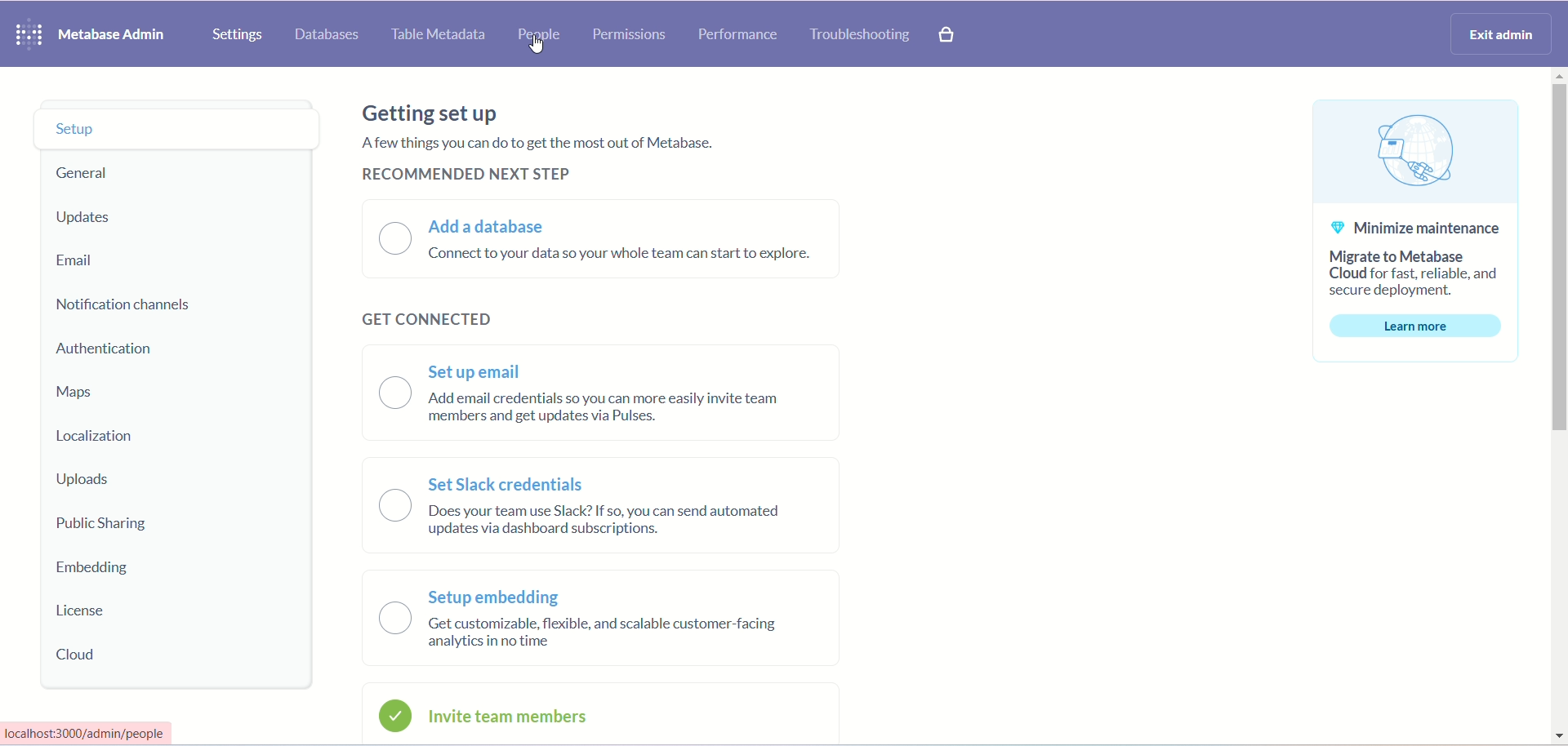 The width and height of the screenshot is (1568, 746). Describe the element at coordinates (78, 611) in the screenshot. I see `license` at that location.